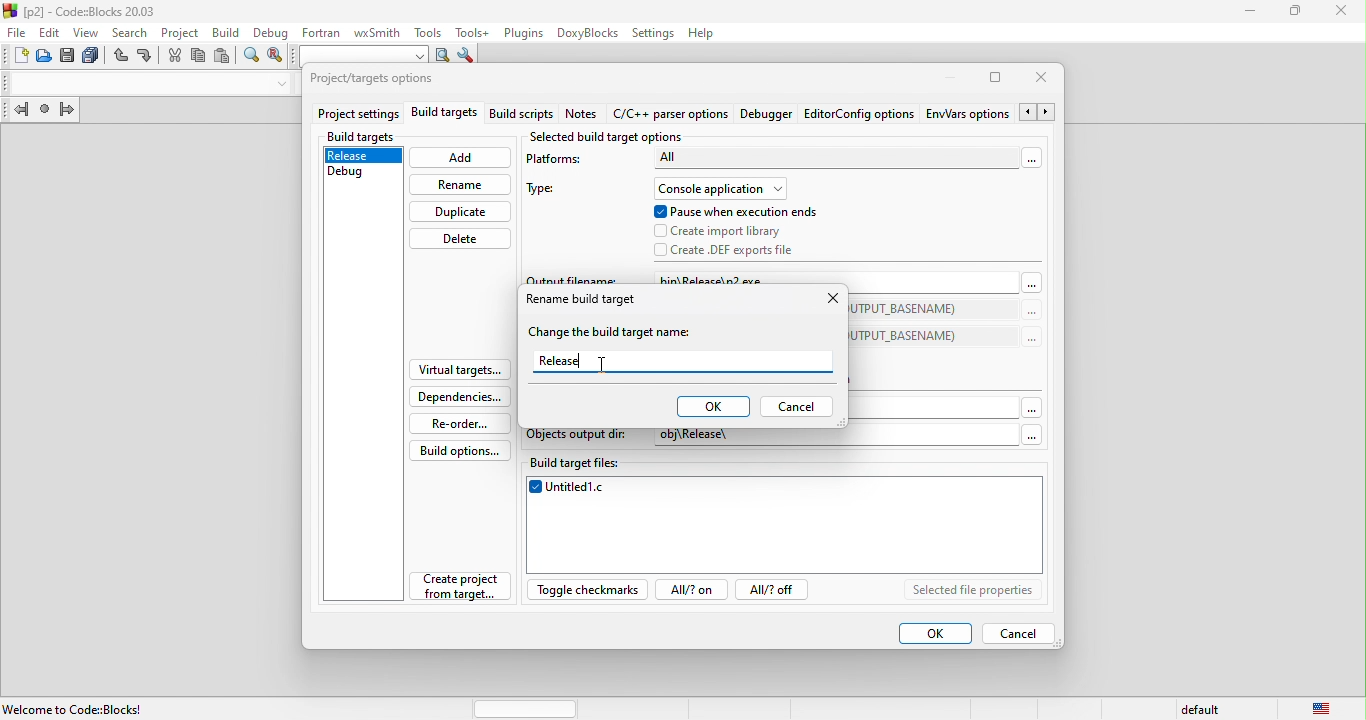 This screenshot has width=1366, height=720. Describe the element at coordinates (252, 58) in the screenshot. I see `find` at that location.